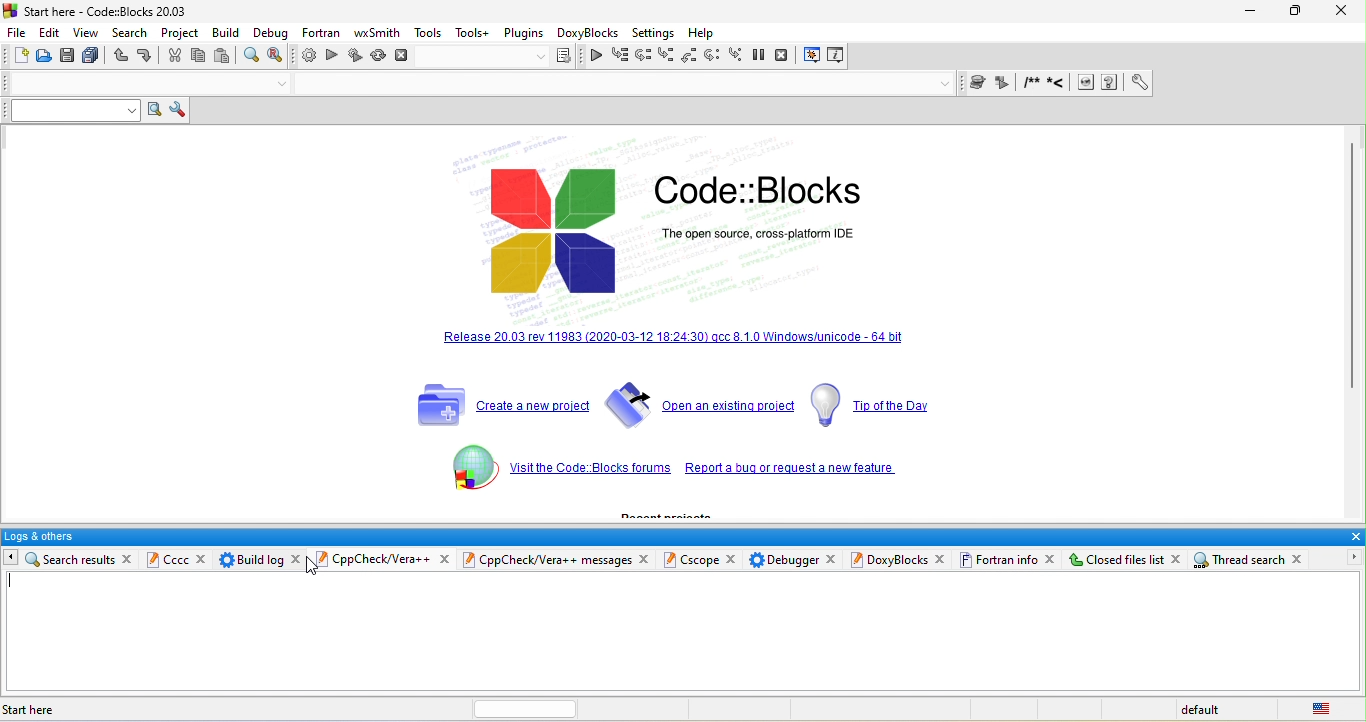 This screenshot has height=722, width=1366. Describe the element at coordinates (67, 57) in the screenshot. I see `save` at that location.